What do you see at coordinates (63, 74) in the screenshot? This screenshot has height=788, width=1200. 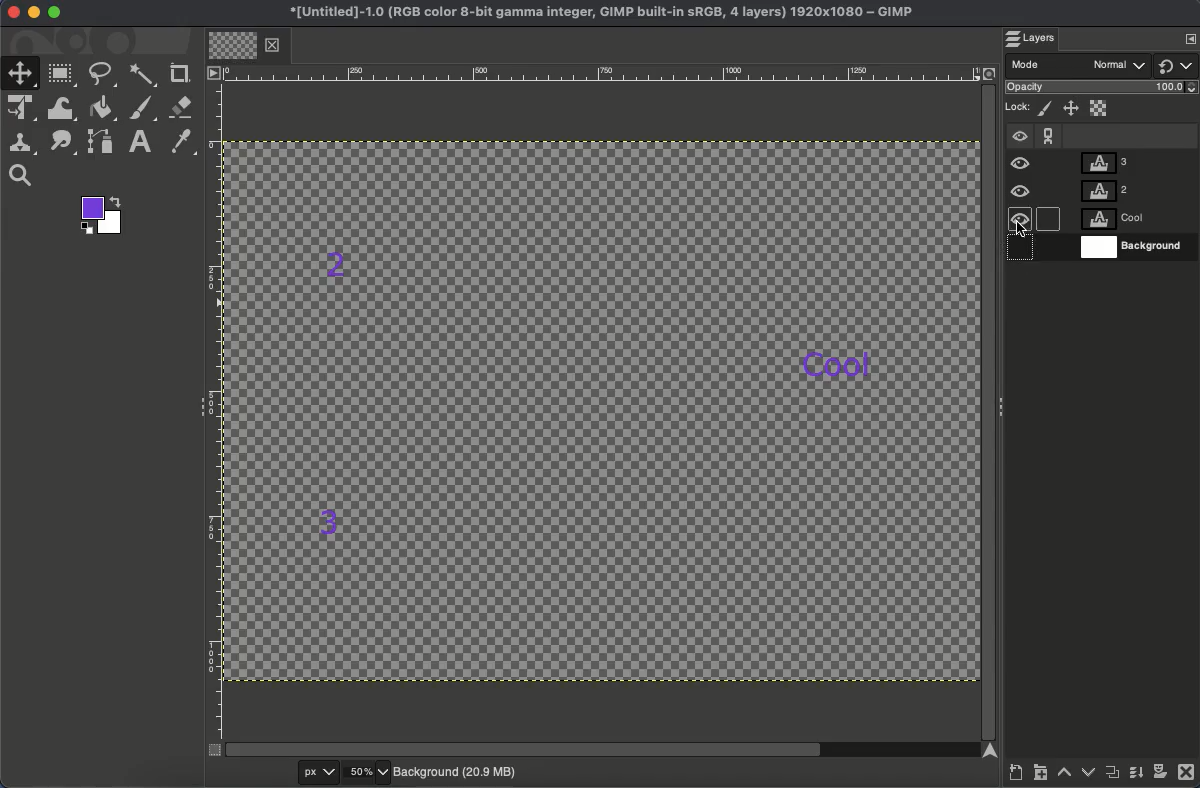 I see `Rectangular select` at bounding box center [63, 74].